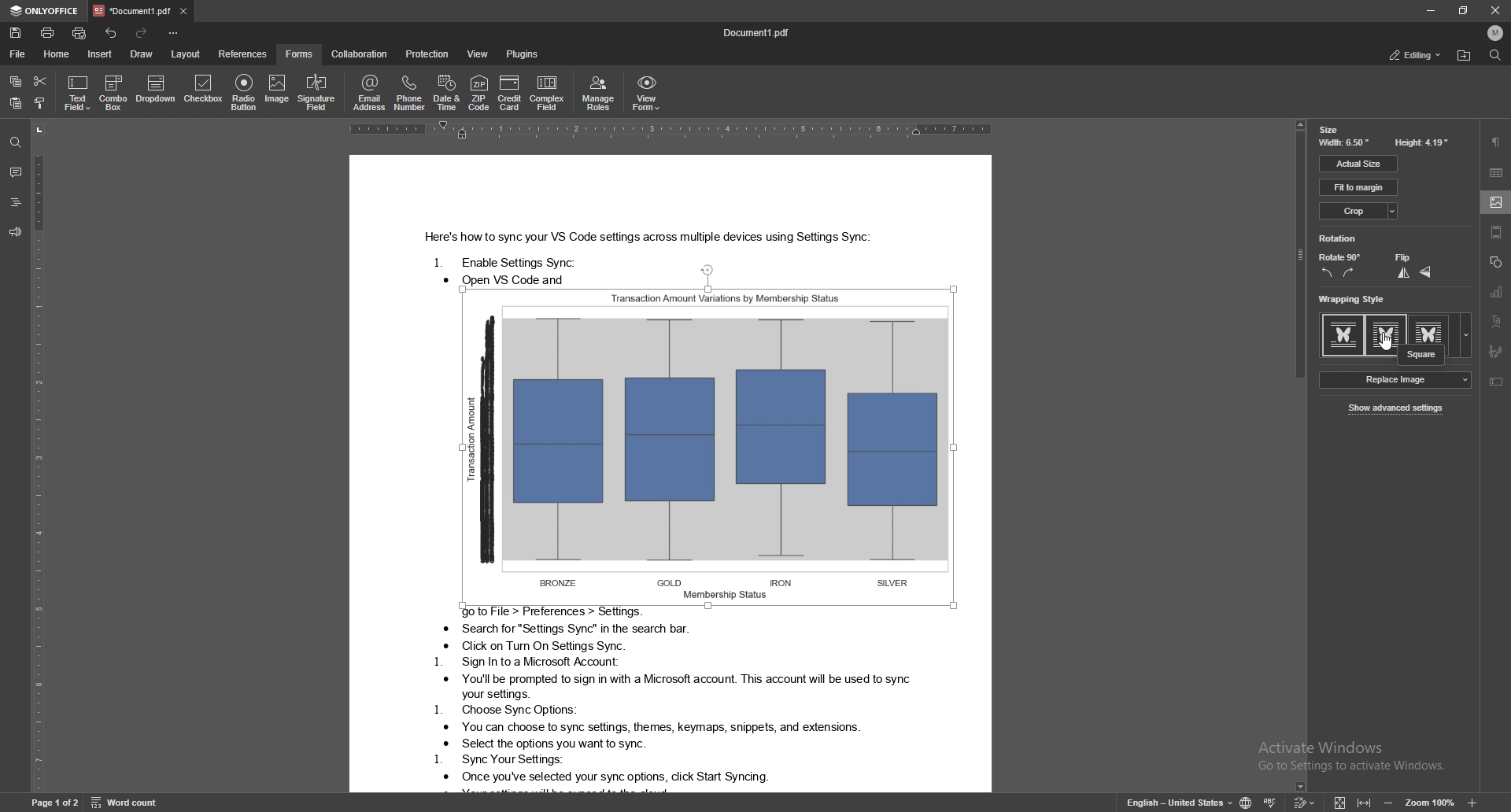  I want to click on icon, so click(1339, 802).